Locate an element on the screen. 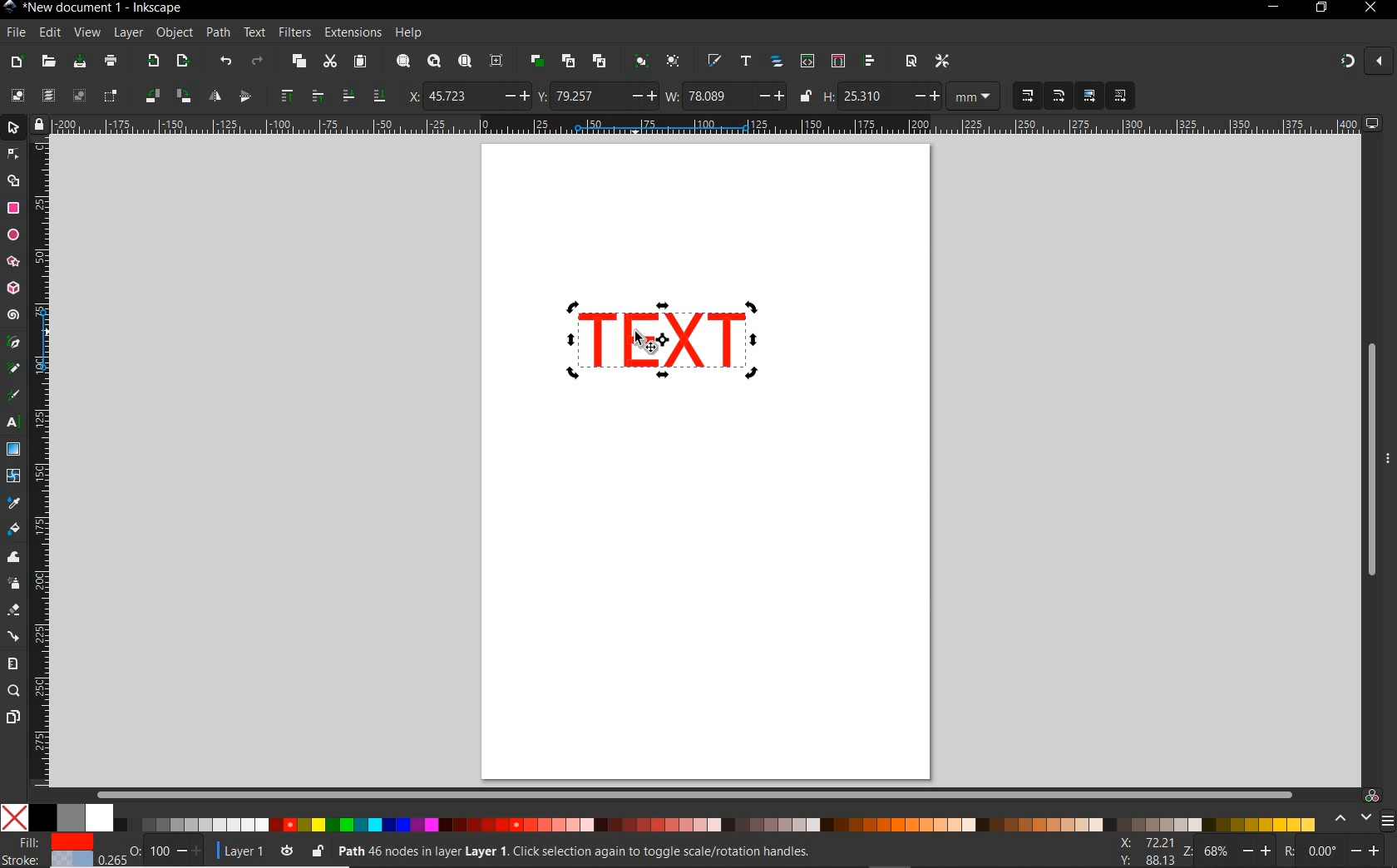 This screenshot has height=868, width=1397. MOVE GRADIENTS is located at coordinates (1089, 96).